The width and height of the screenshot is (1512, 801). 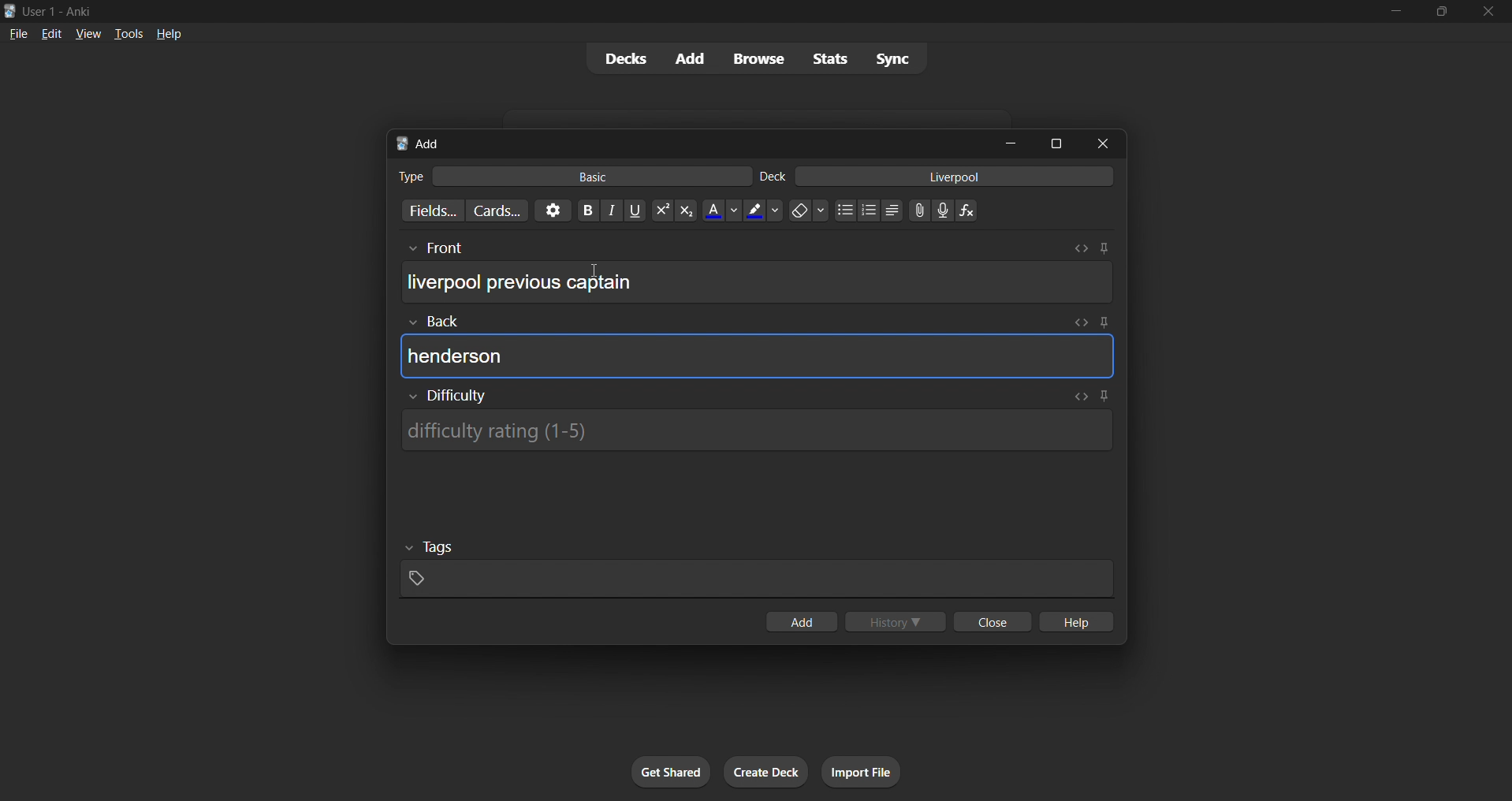 I want to click on add, so click(x=687, y=58).